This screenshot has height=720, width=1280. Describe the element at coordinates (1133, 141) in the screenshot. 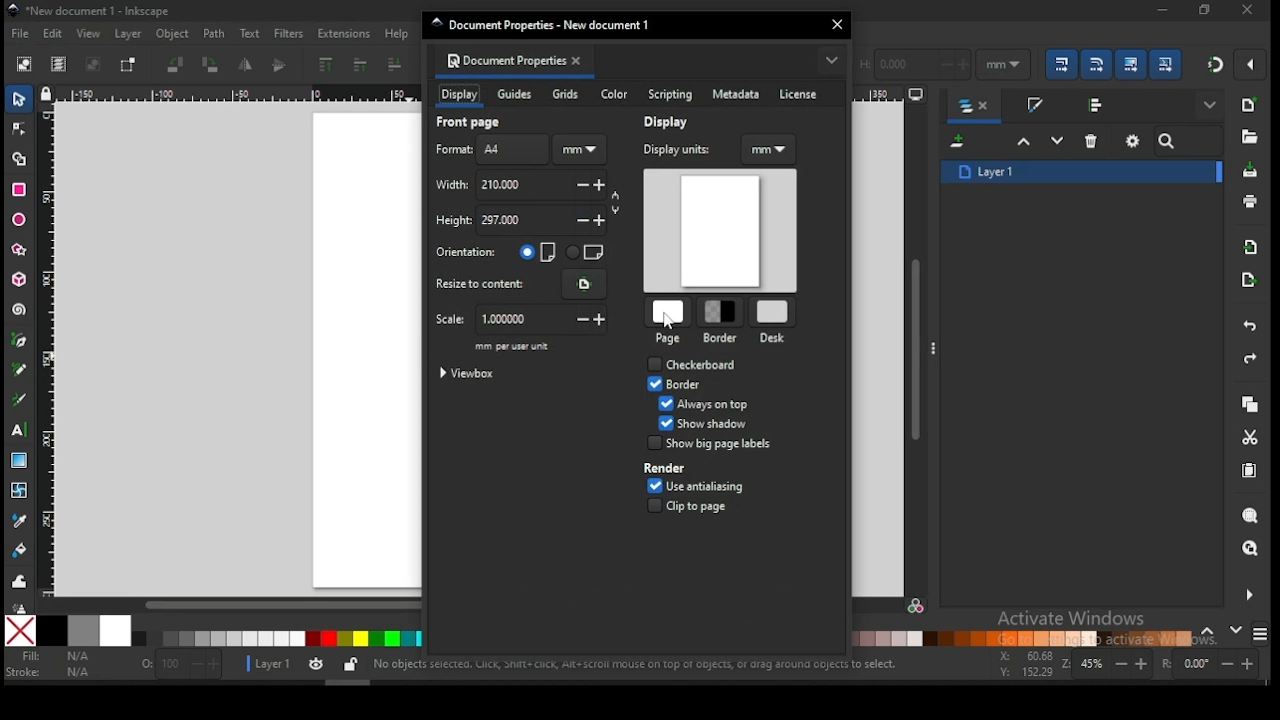

I see `layers and objects dialogue settings` at that location.